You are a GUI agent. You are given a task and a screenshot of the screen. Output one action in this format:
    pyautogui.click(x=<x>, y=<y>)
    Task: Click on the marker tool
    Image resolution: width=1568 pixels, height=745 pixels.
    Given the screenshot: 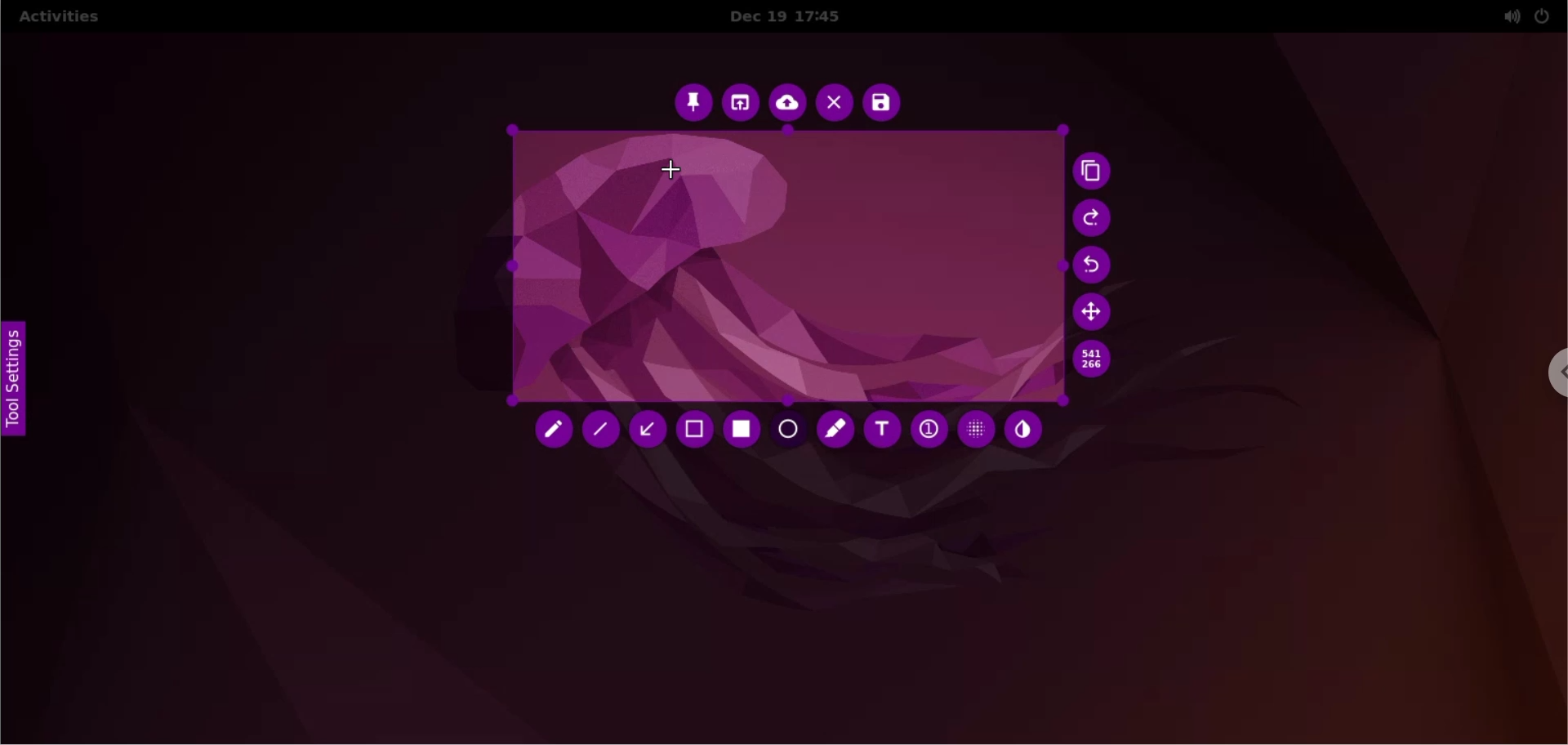 What is the action you would take?
    pyautogui.click(x=837, y=431)
    